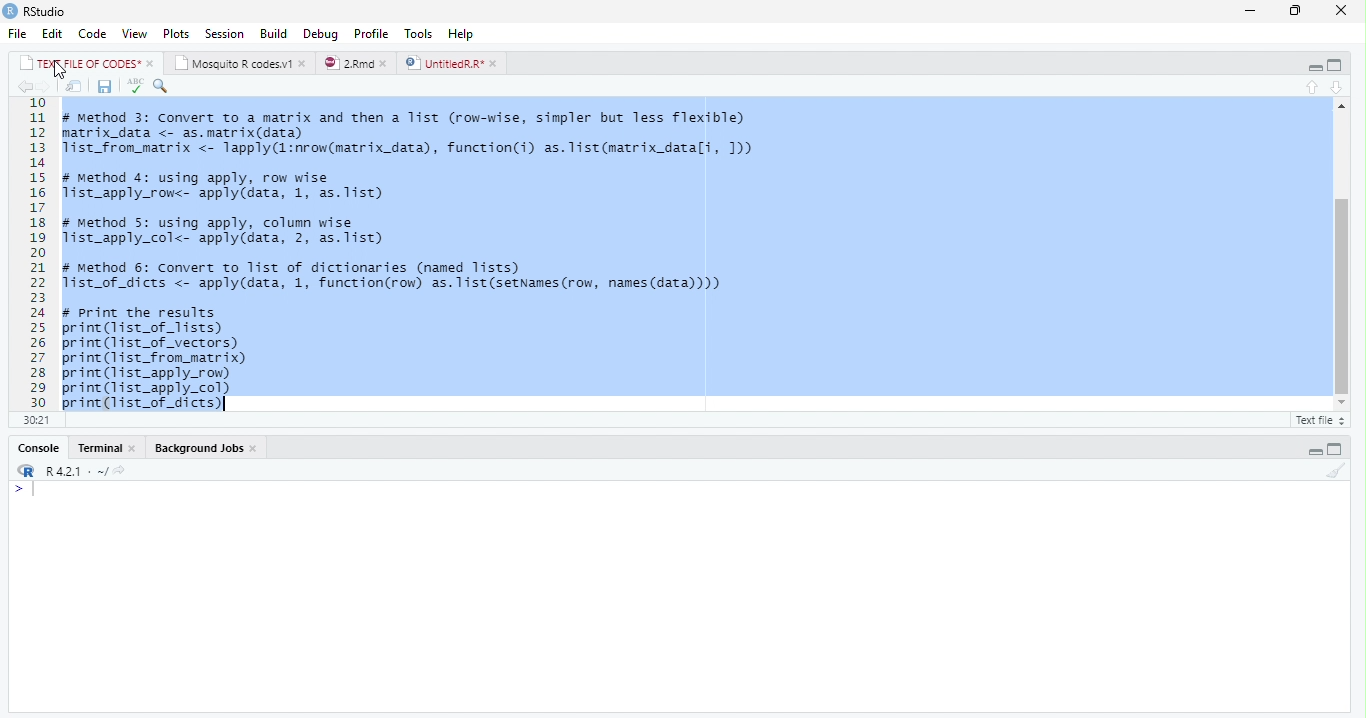 The height and width of the screenshot is (718, 1366). What do you see at coordinates (176, 32) in the screenshot?
I see `Plots` at bounding box center [176, 32].